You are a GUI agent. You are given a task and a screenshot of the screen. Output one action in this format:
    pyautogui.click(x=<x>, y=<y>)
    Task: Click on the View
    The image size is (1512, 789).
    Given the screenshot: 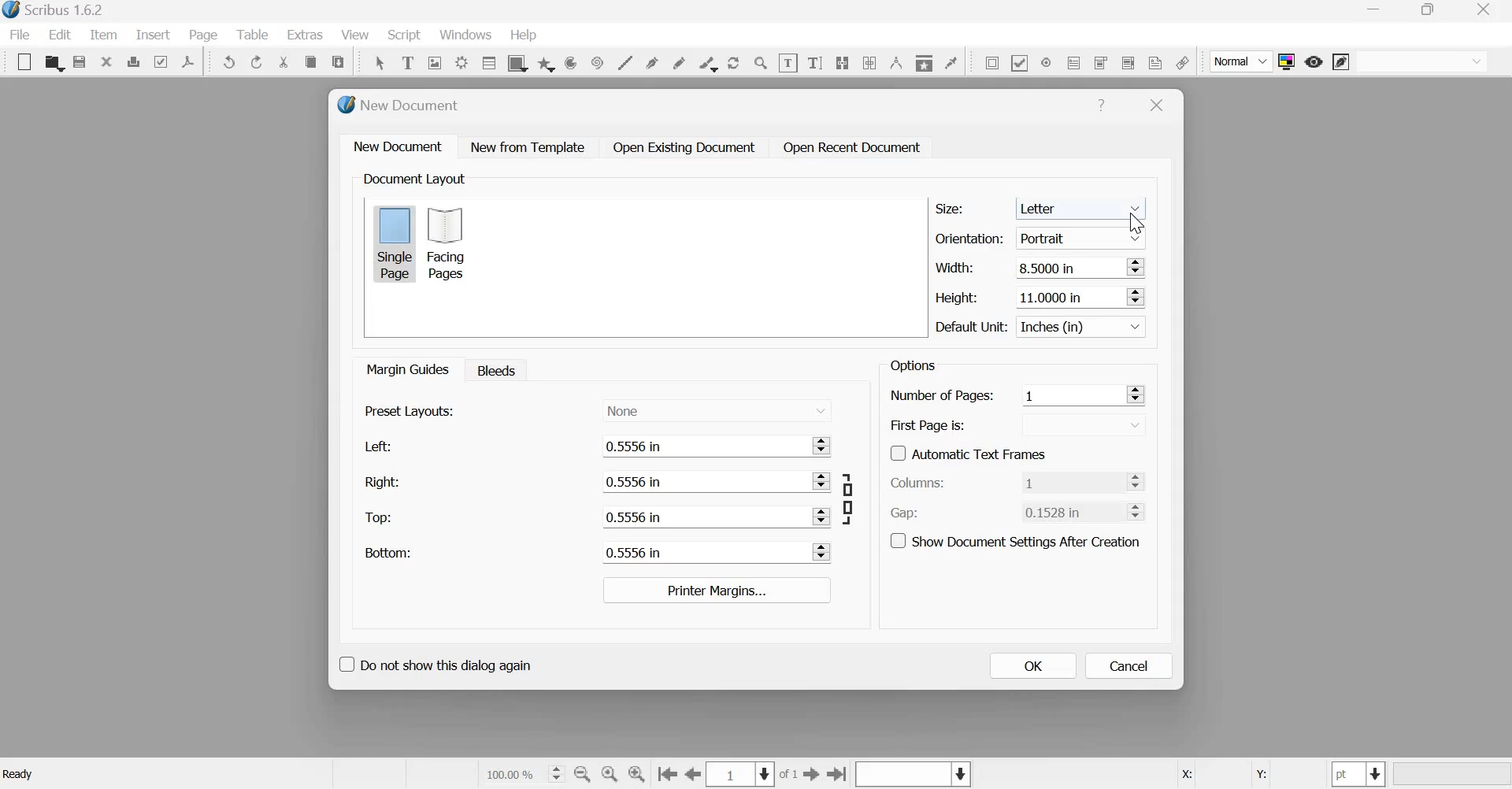 What is the action you would take?
    pyautogui.click(x=357, y=35)
    